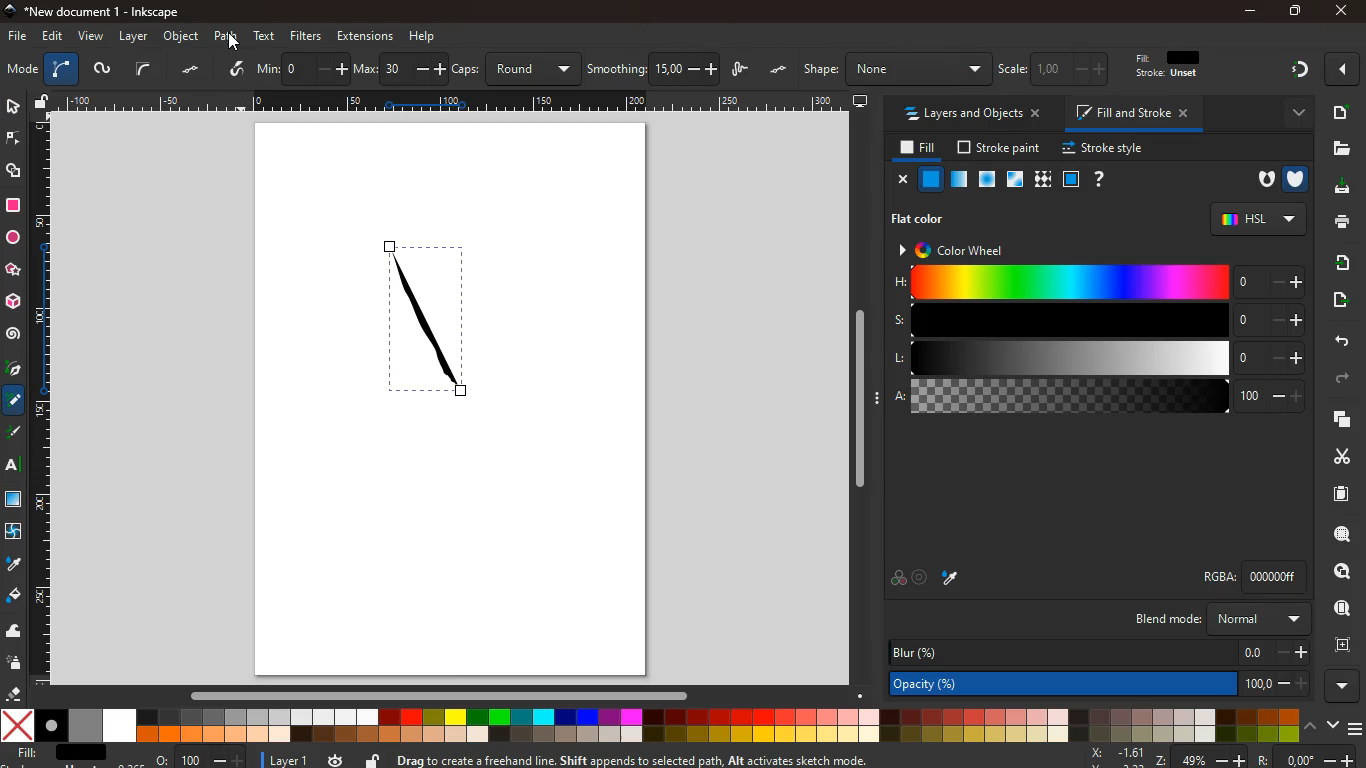 Image resolution: width=1366 pixels, height=768 pixels. I want to click on text, so click(266, 37).